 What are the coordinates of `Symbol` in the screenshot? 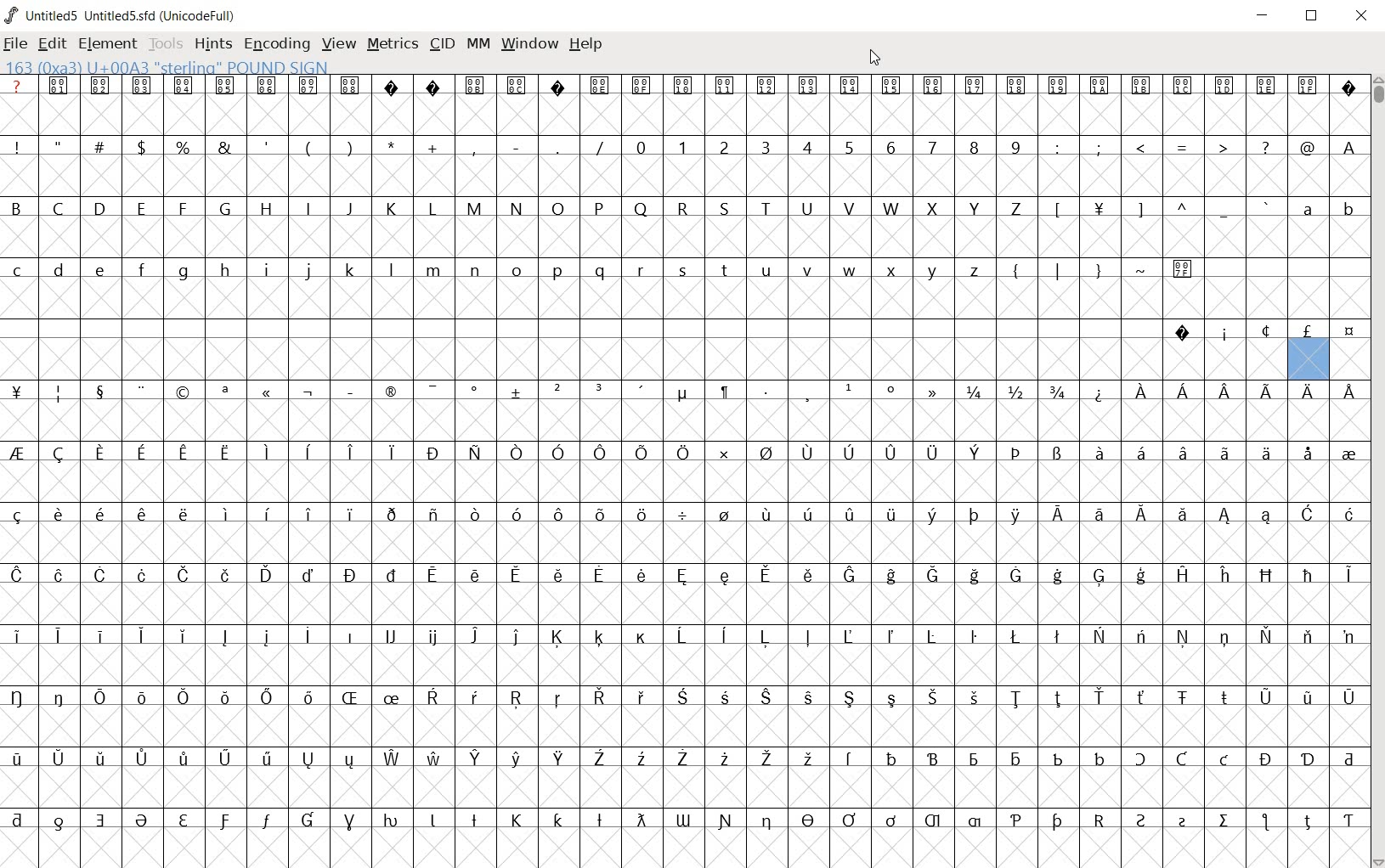 It's located at (1269, 87).